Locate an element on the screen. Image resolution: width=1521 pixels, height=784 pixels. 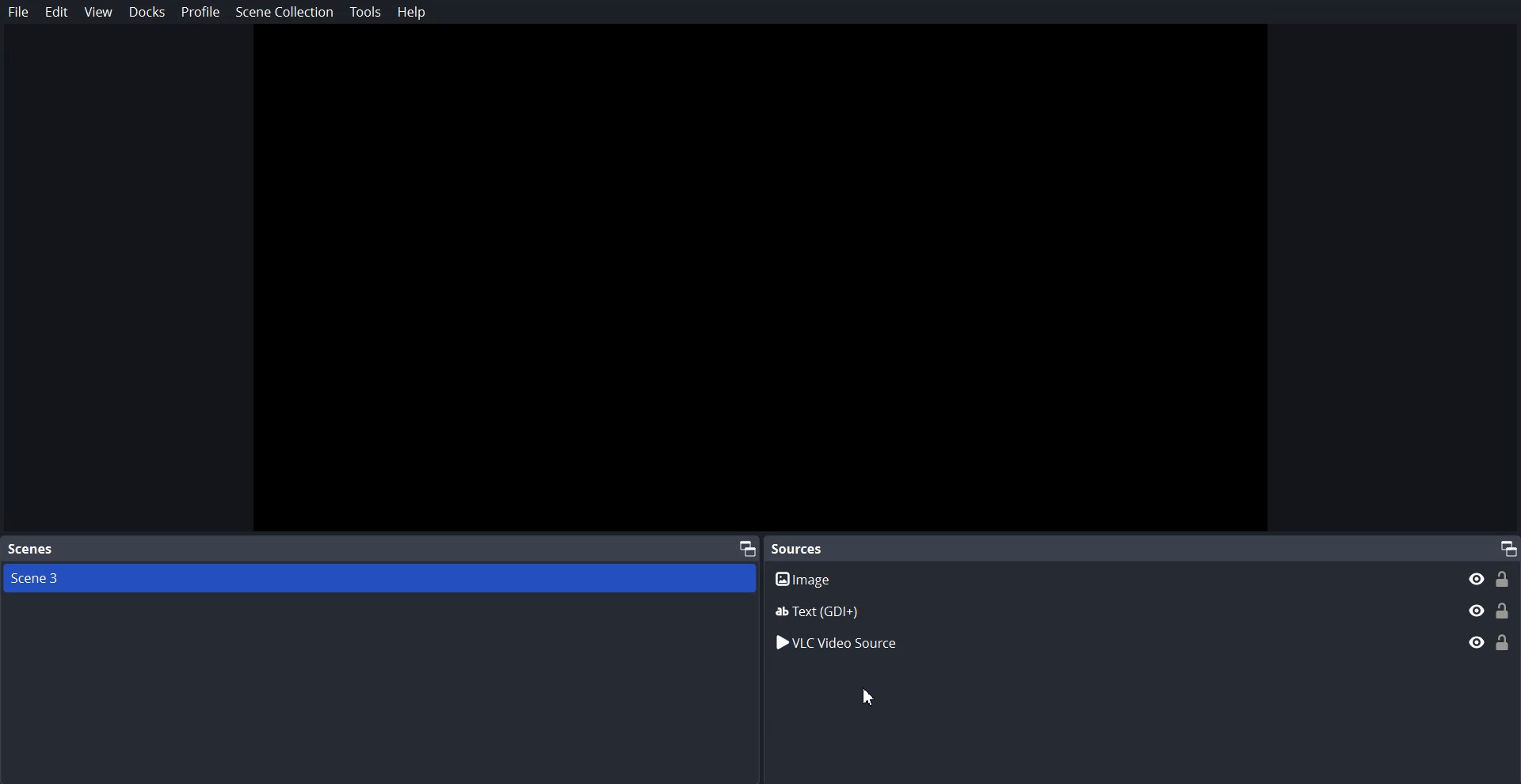
View is located at coordinates (98, 13).